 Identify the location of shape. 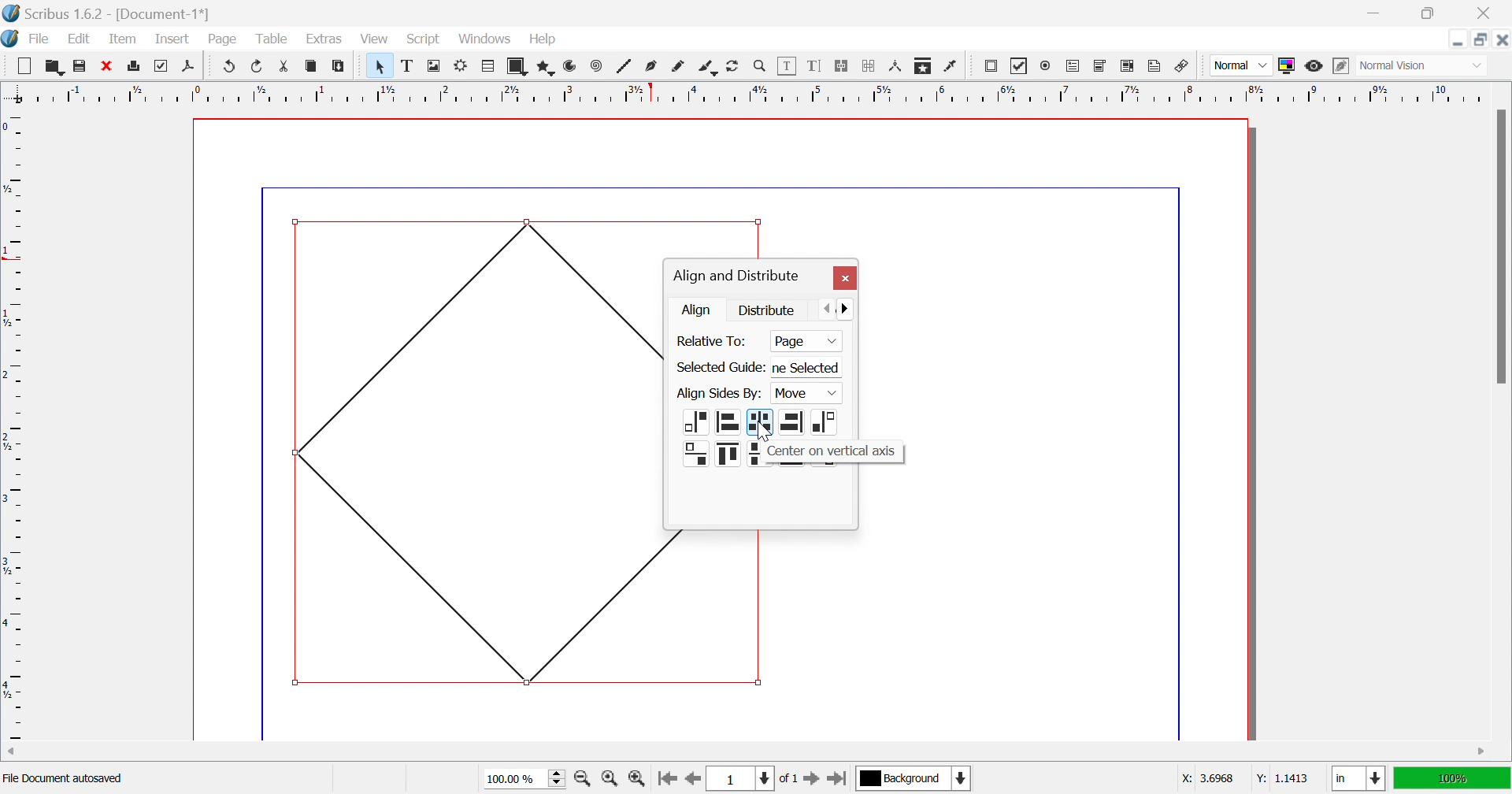
(675, 542).